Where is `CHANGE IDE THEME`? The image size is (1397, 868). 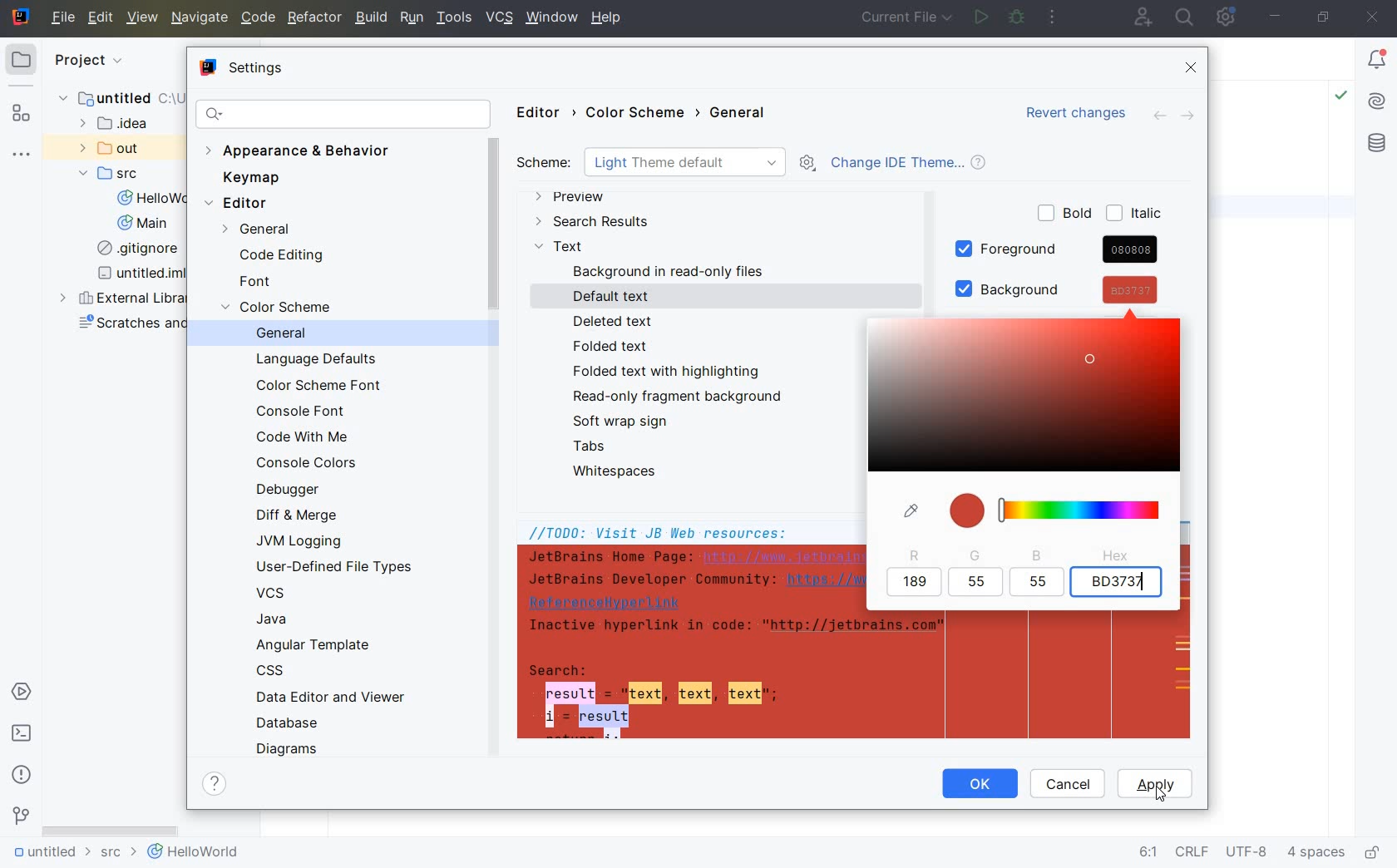 CHANGE IDE THEME is located at coordinates (916, 165).